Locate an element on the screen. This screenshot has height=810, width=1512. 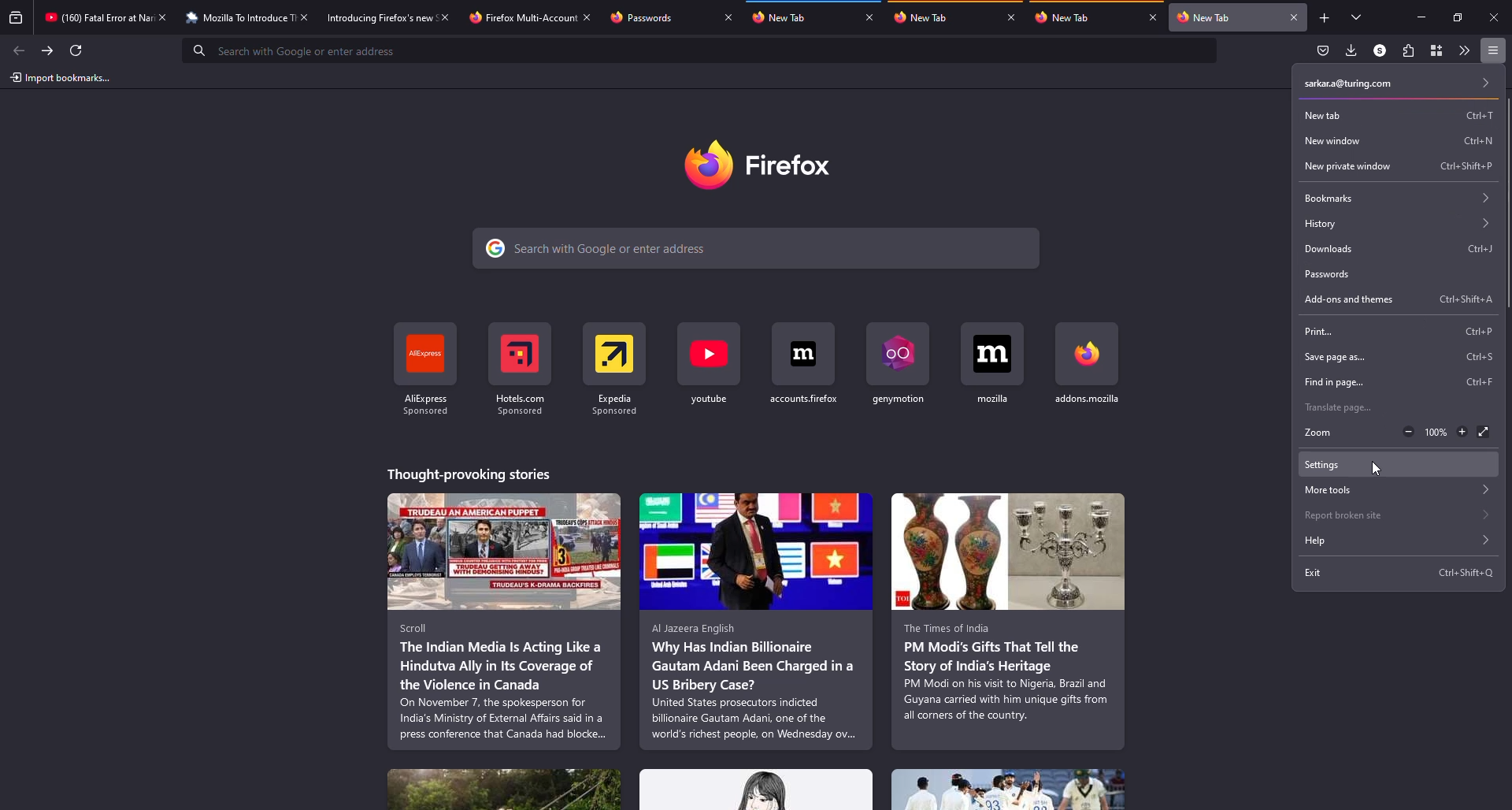
close is located at coordinates (1012, 17).